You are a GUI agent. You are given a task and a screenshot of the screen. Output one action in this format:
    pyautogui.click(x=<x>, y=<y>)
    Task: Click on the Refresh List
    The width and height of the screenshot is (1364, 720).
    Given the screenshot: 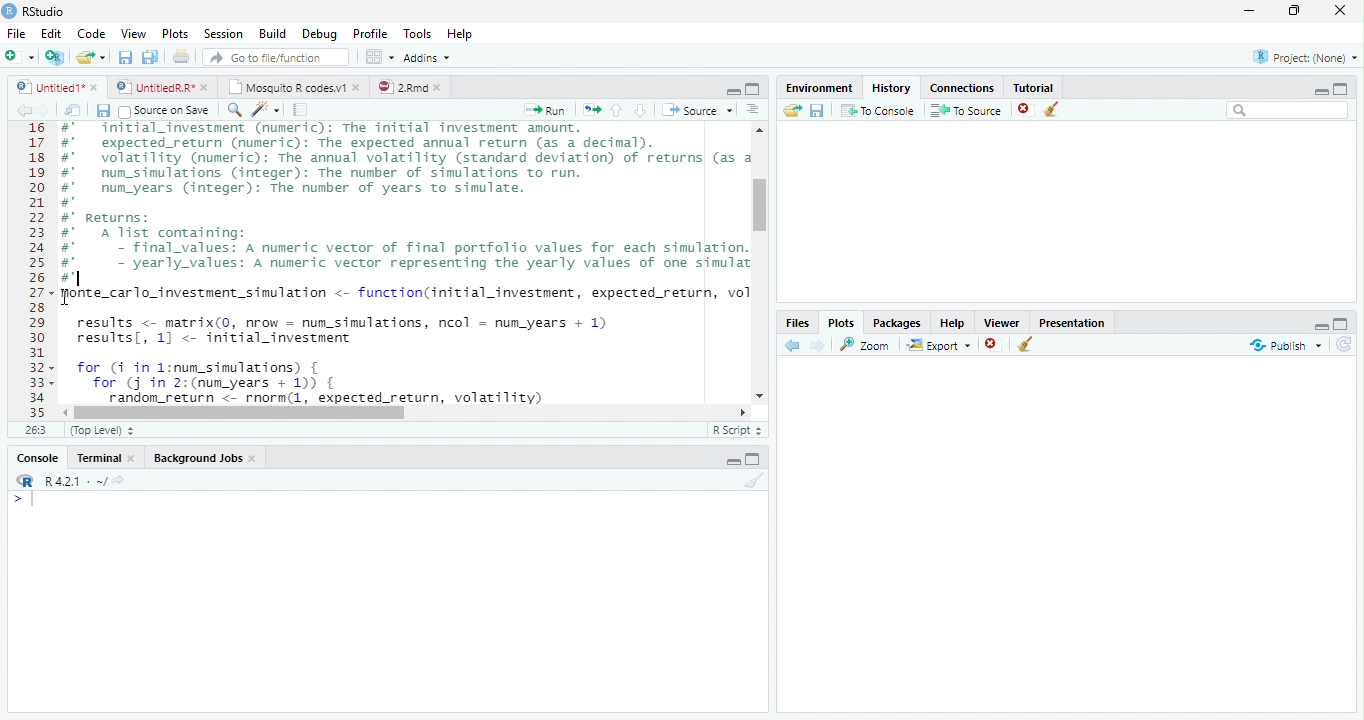 What is the action you would take?
    pyautogui.click(x=1345, y=345)
    